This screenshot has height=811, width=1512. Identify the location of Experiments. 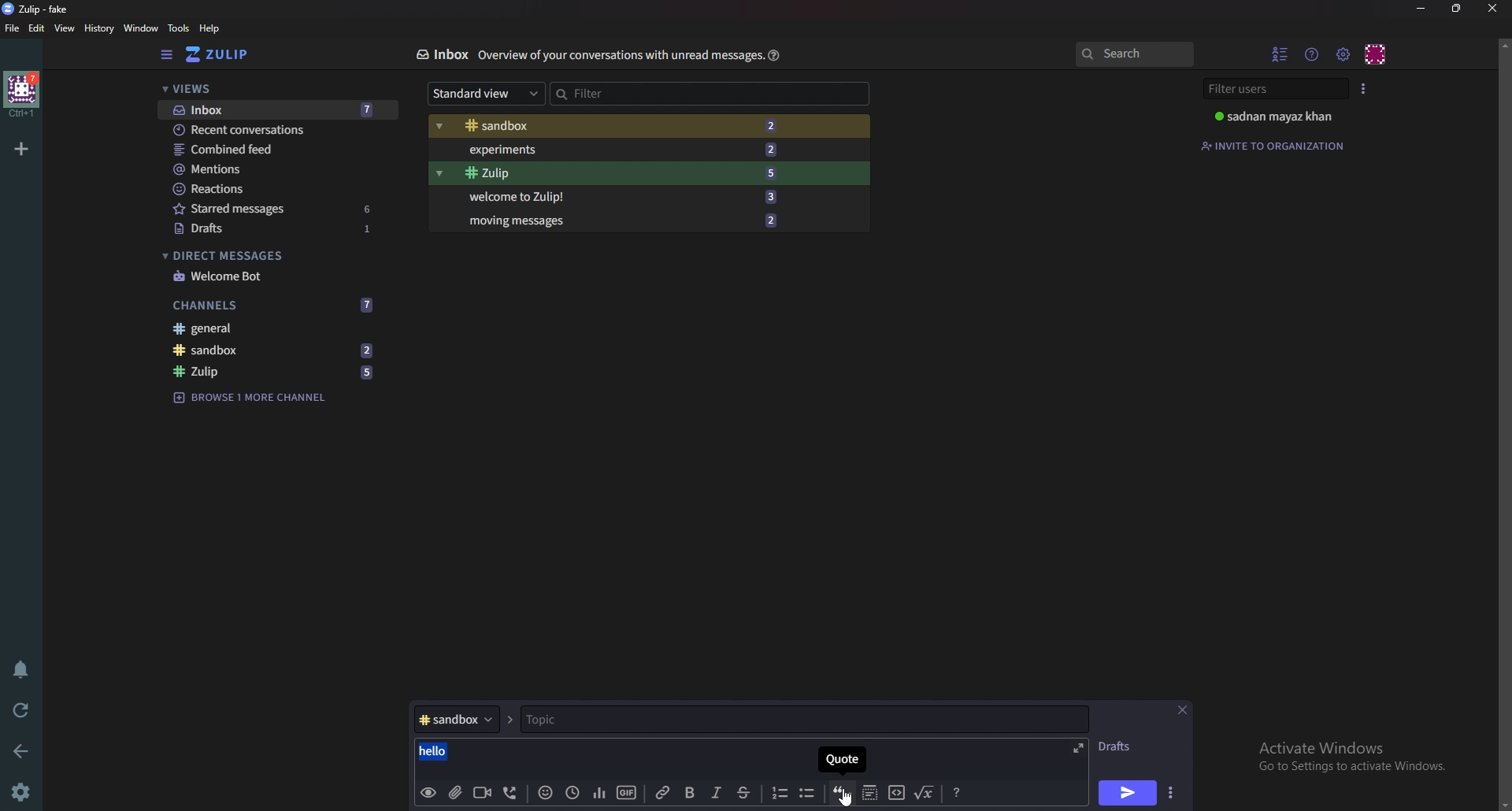
(553, 150).